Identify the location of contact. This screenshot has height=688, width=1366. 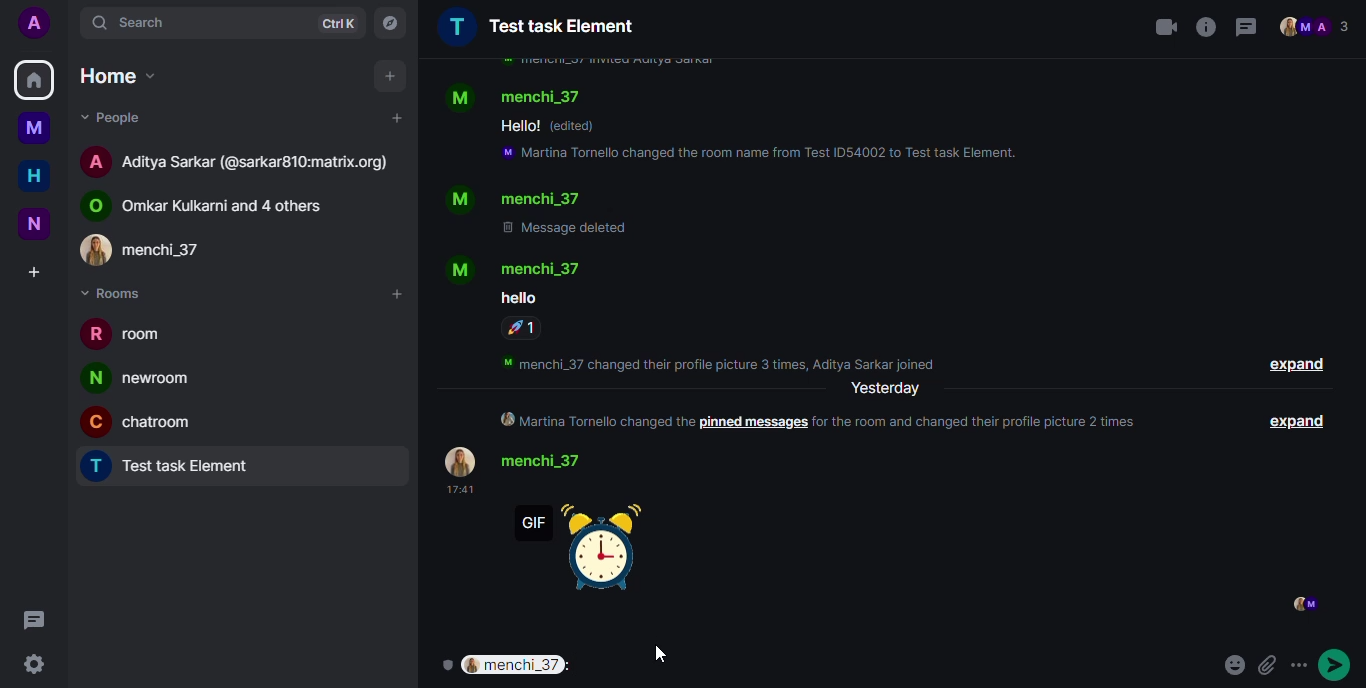
(518, 96).